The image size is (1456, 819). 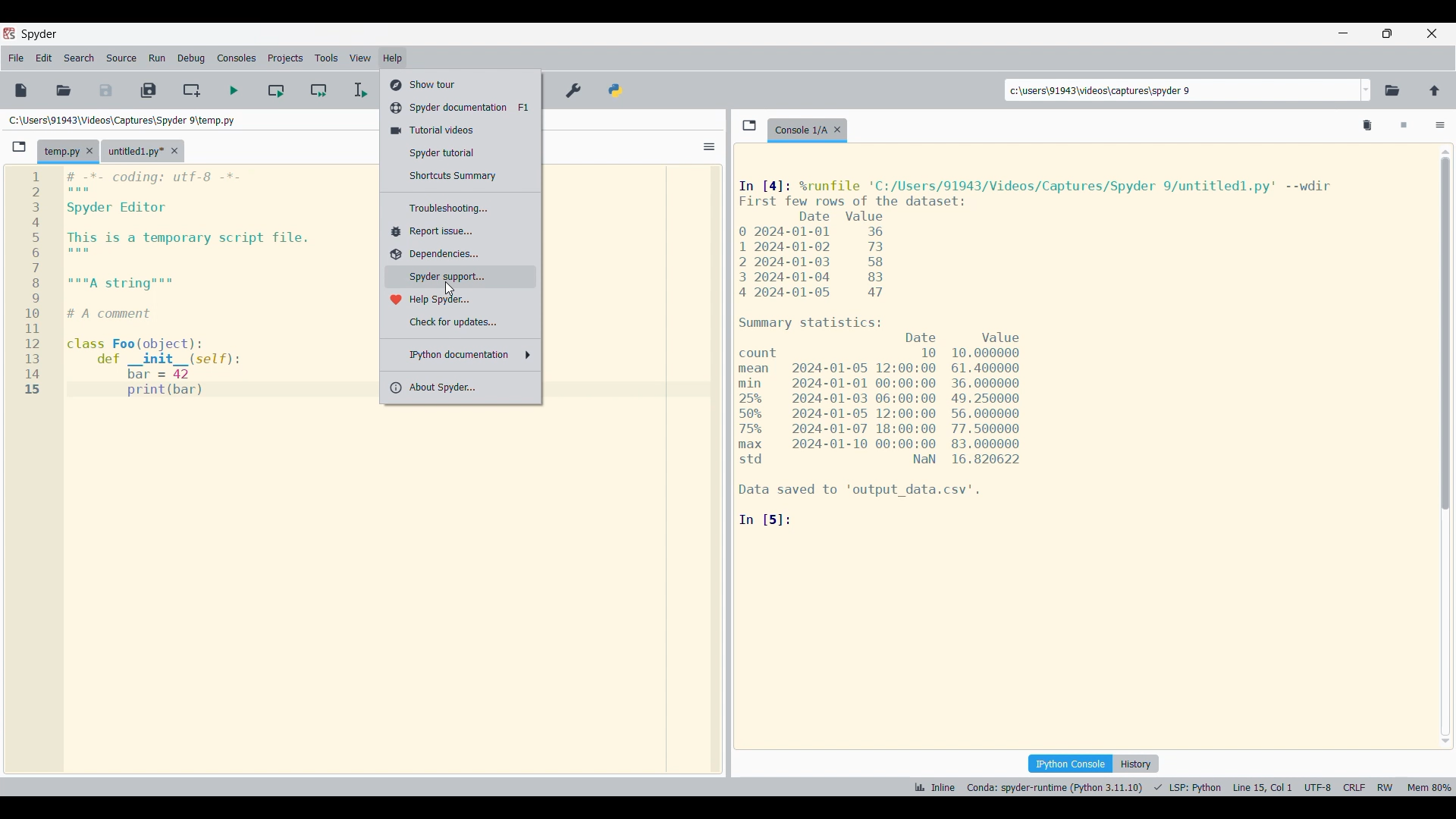 I want to click on Close interface, so click(x=1432, y=33).